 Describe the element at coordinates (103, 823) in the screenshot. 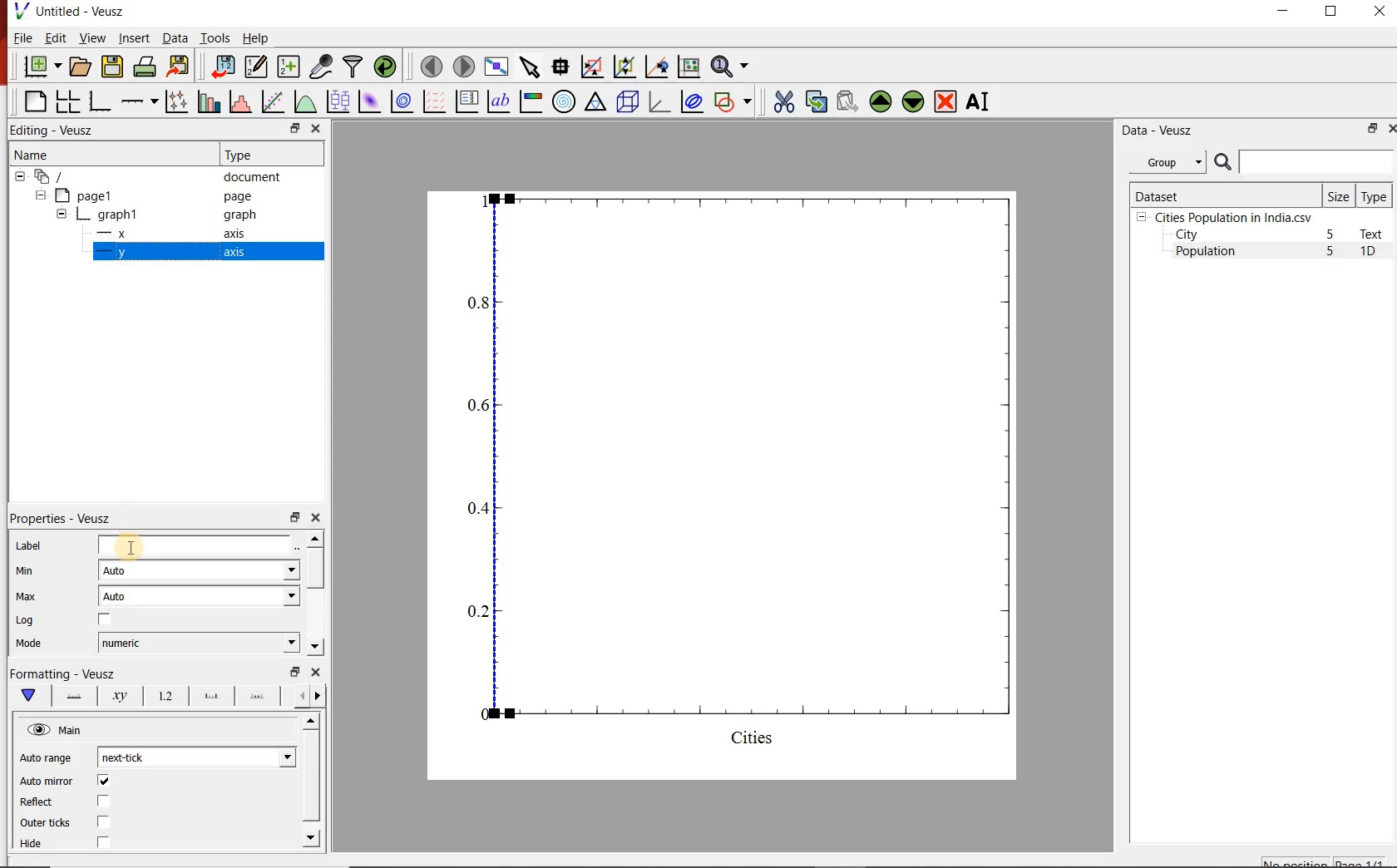

I see `check/uncheck` at that location.